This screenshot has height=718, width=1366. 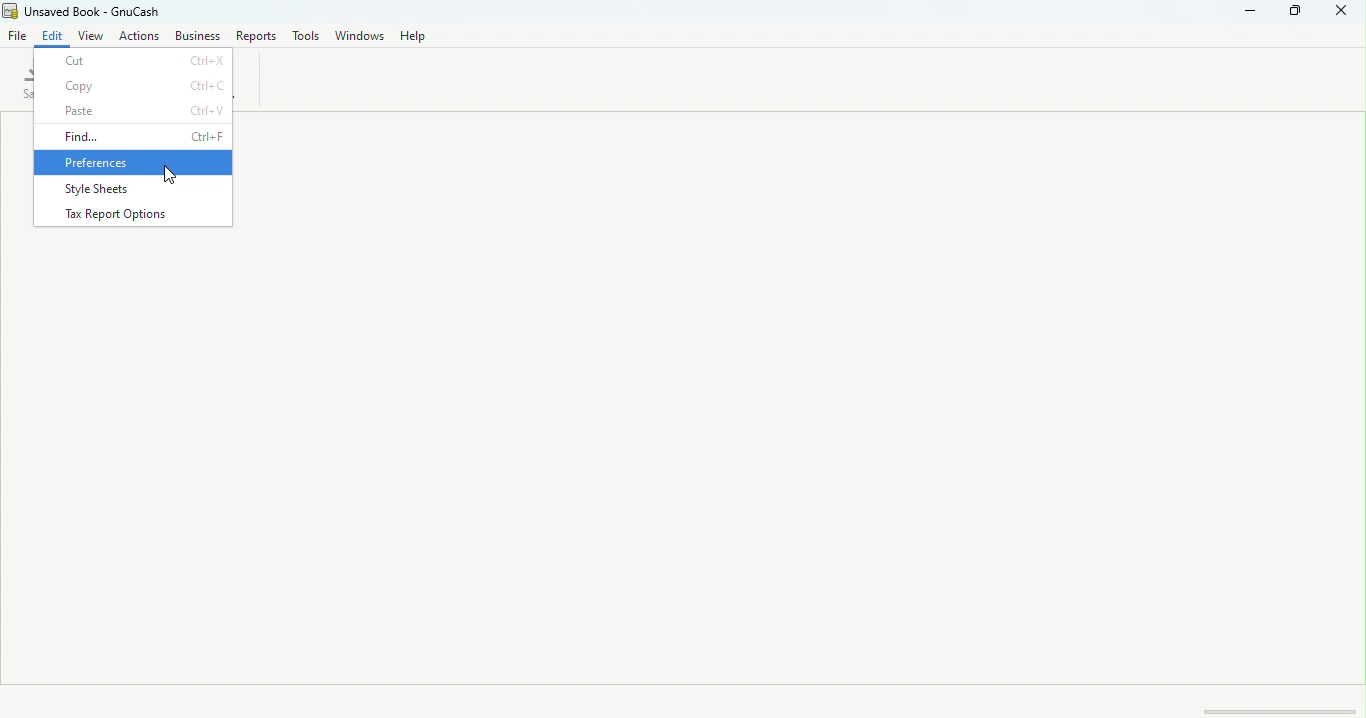 I want to click on cursor, so click(x=169, y=178).